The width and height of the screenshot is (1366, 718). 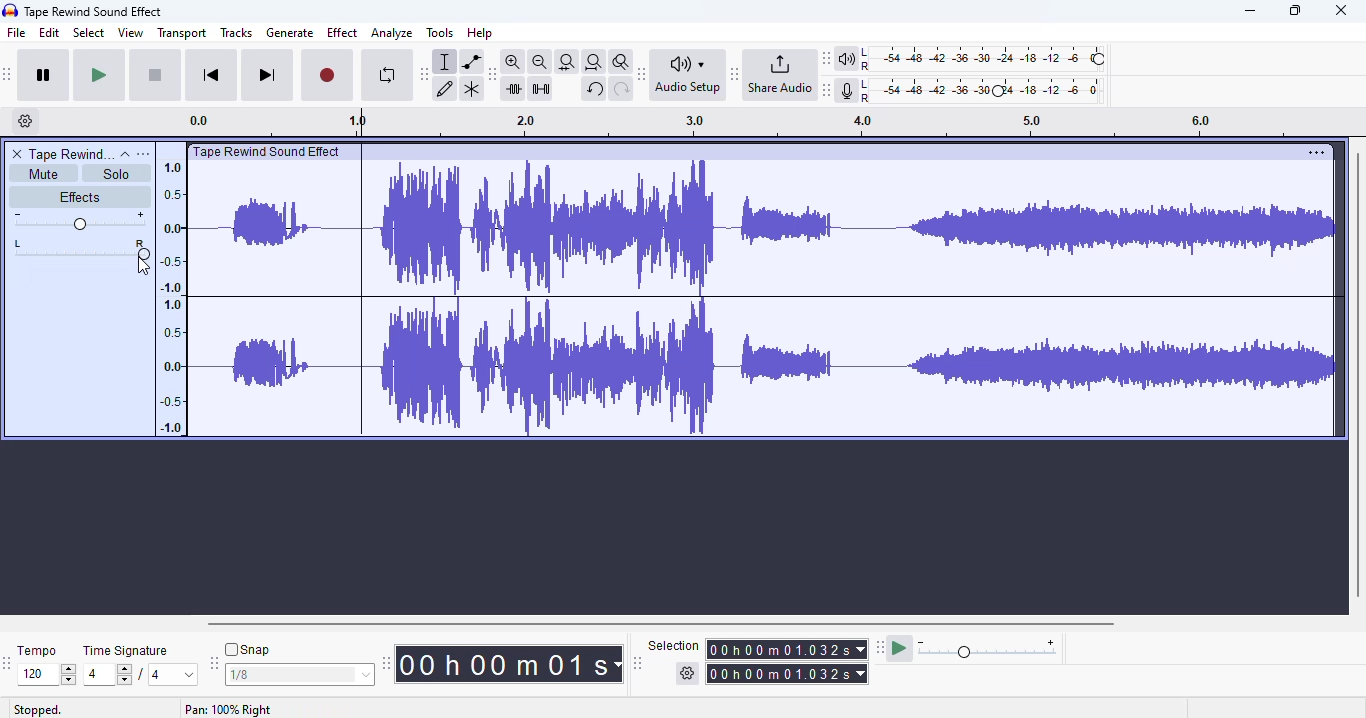 I want to click on time signature, so click(x=126, y=651).